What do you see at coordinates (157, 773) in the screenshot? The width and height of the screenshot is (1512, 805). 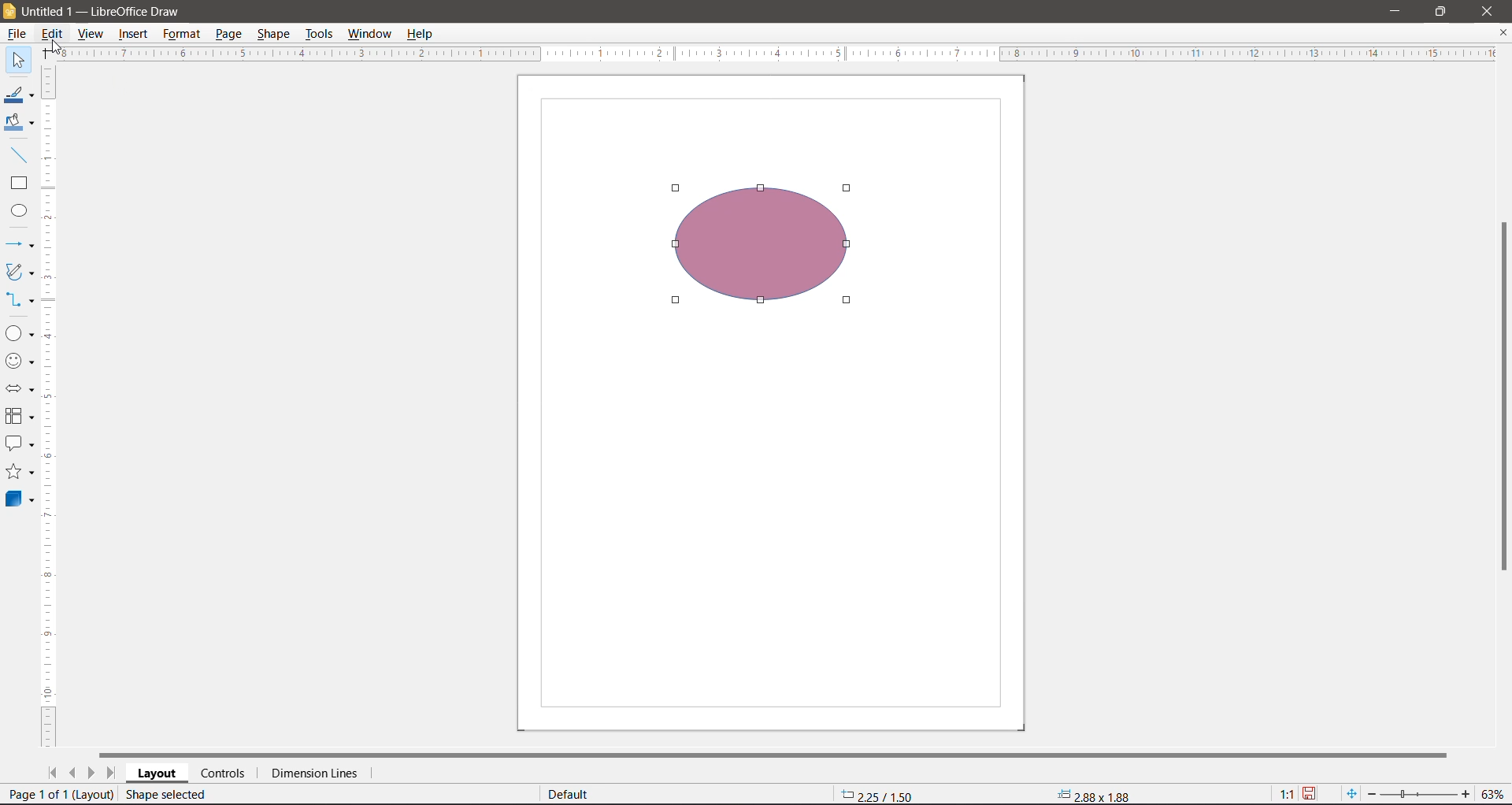 I see `Layout` at bounding box center [157, 773].